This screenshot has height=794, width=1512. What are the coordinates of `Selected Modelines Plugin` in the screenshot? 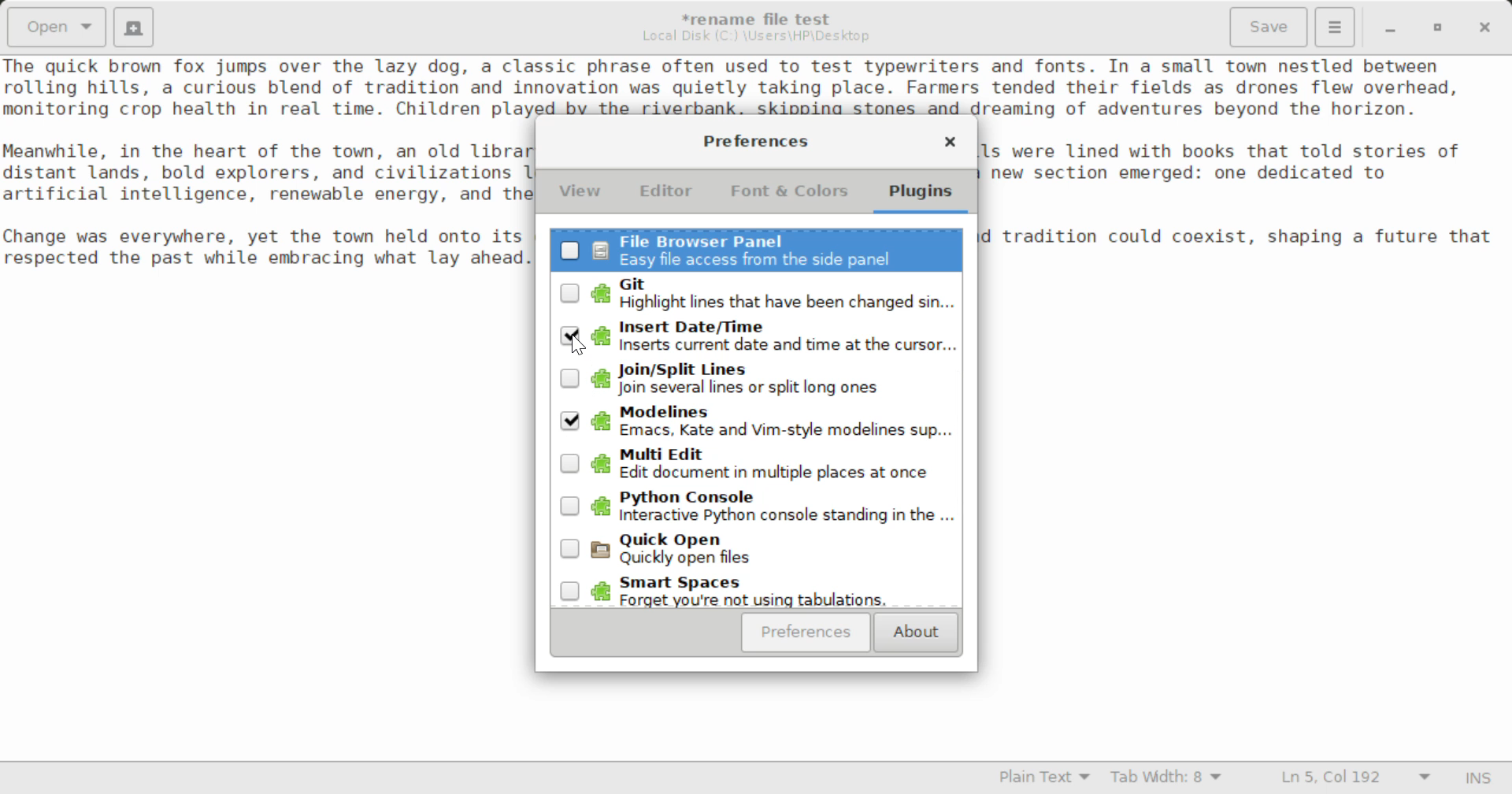 It's located at (759, 425).